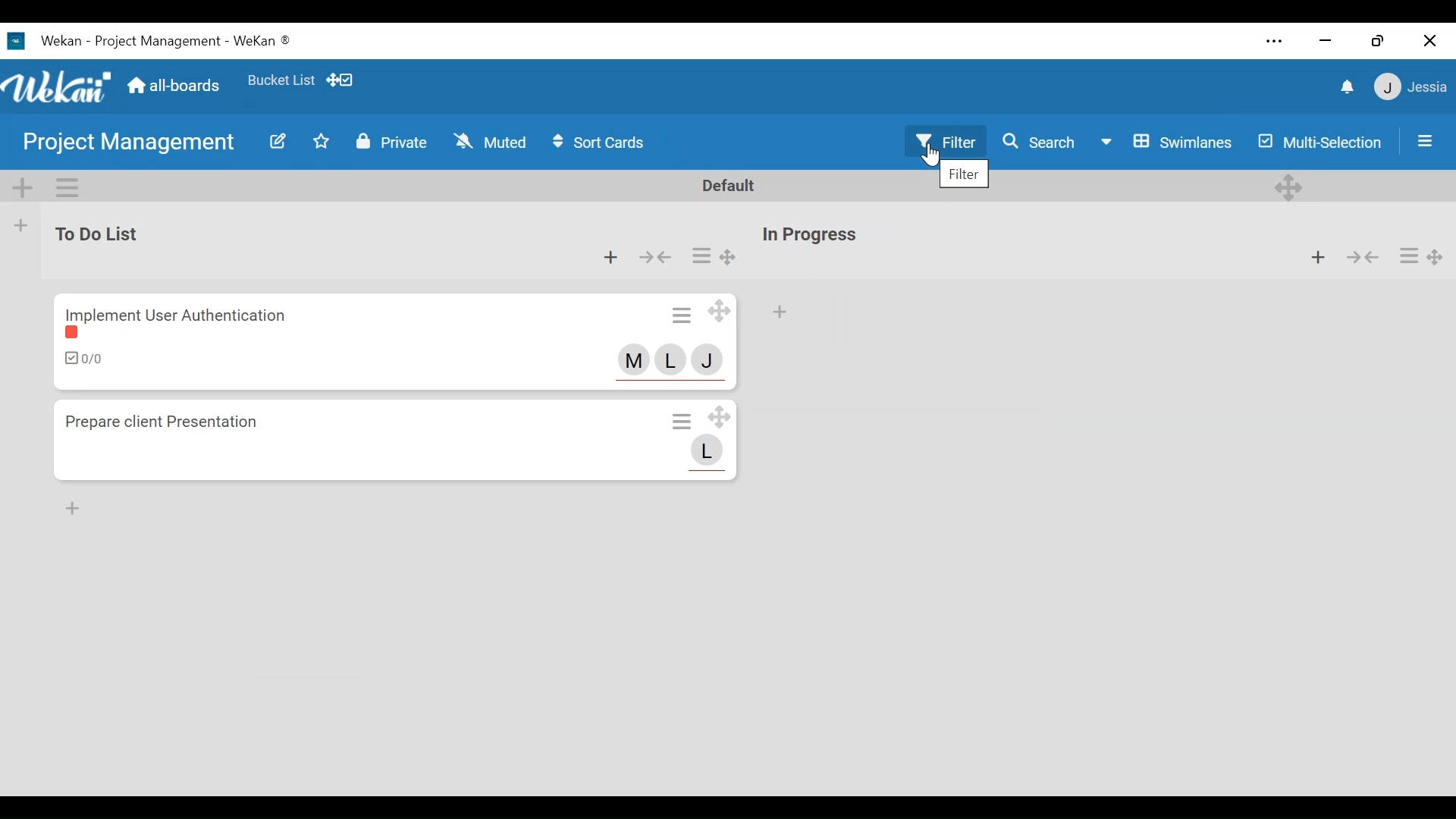 The image size is (1456, 819). I want to click on collapse, so click(1360, 255).